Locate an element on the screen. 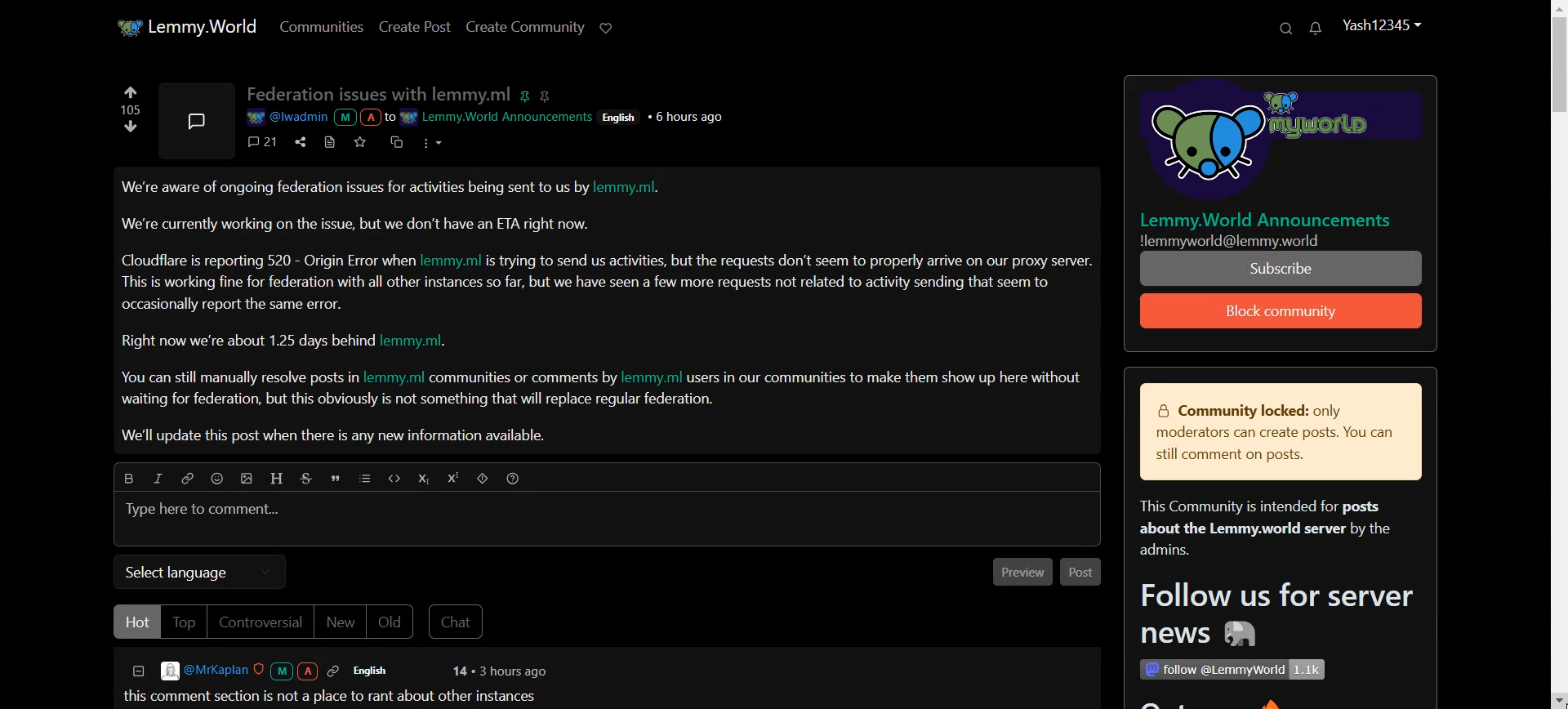  We'll update this post when there is any new information available. is located at coordinates (336, 436).